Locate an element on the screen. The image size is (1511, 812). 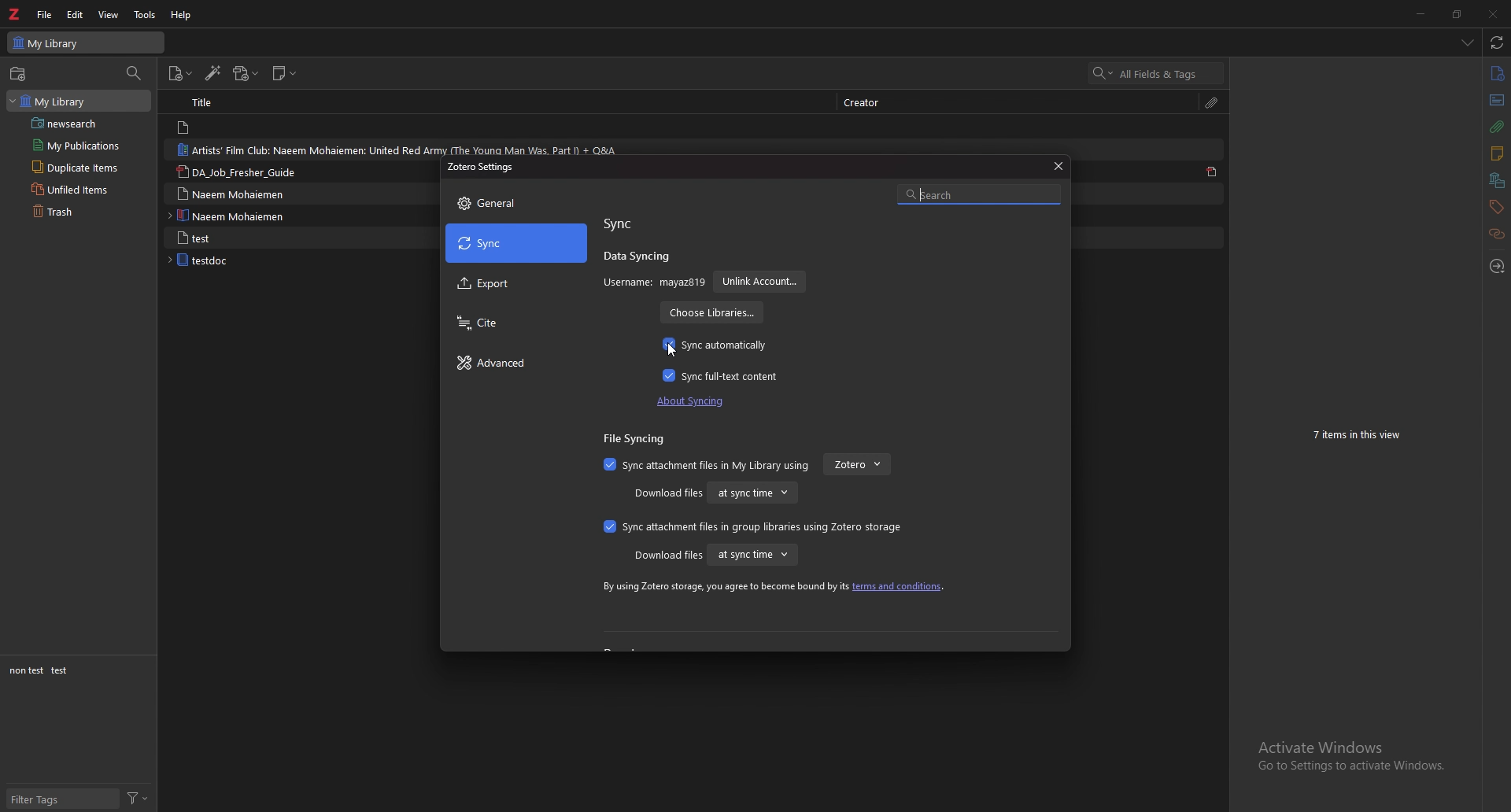
title is located at coordinates (218, 103).